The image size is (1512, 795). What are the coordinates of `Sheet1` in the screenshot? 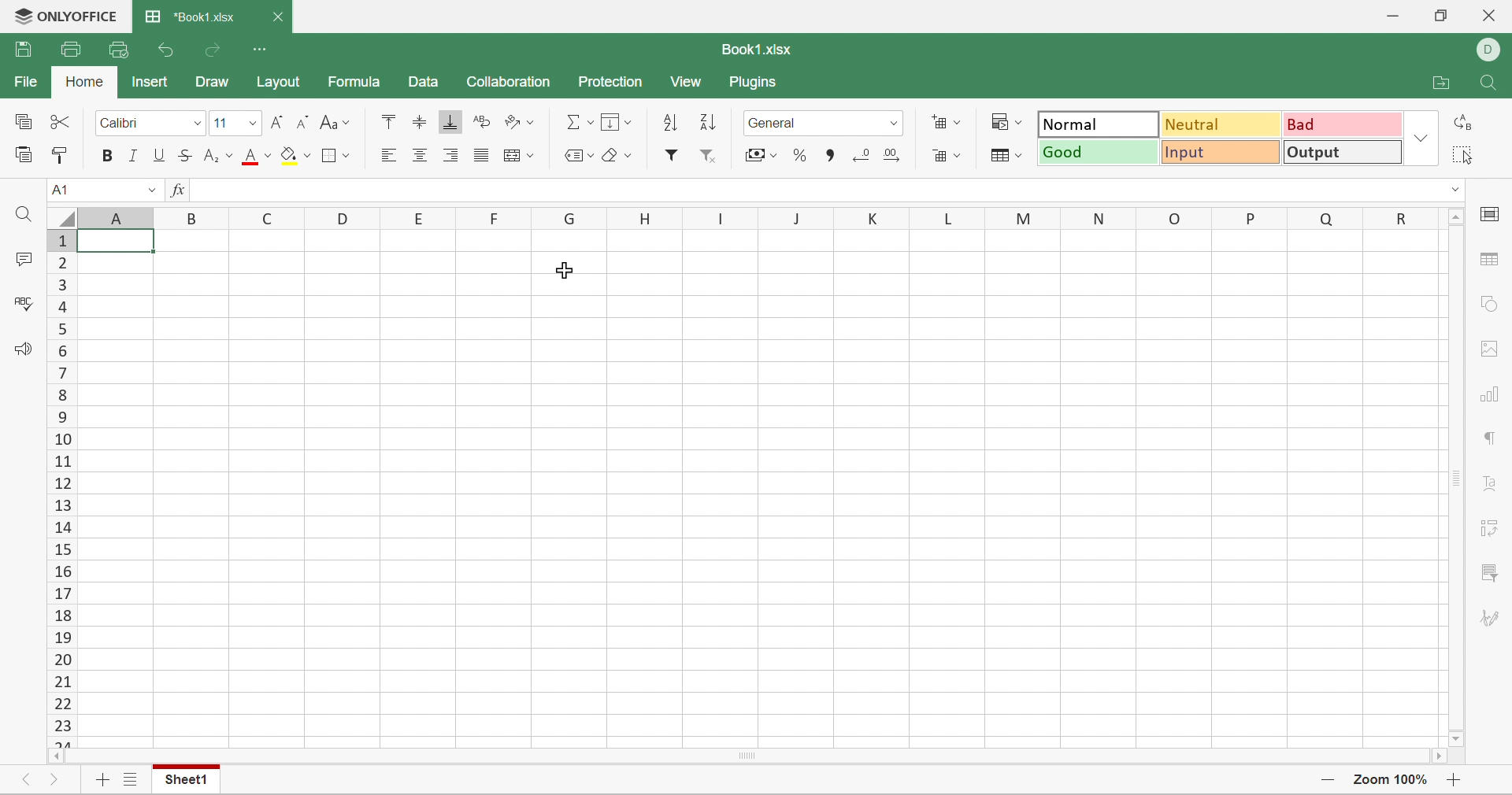 It's located at (188, 785).